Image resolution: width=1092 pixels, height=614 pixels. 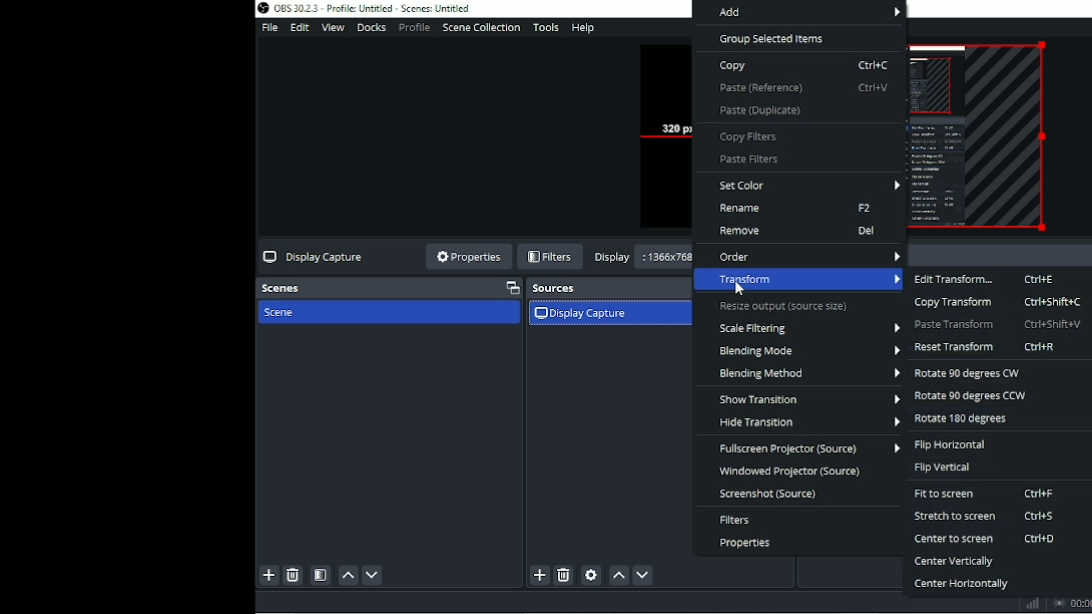 I want to click on Rotate 180 degrees, so click(x=963, y=419).